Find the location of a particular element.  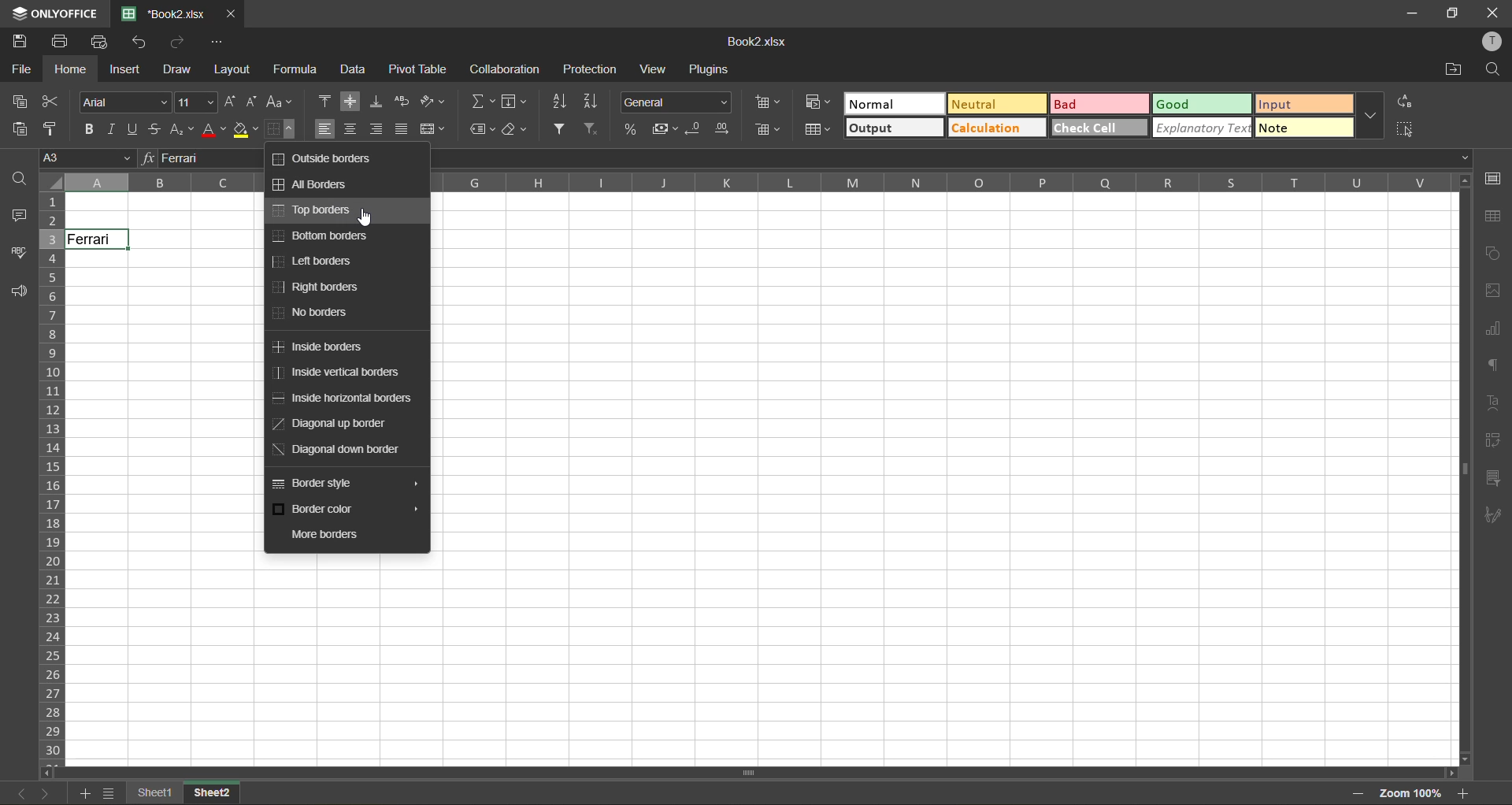

inside vertical borders is located at coordinates (337, 373).